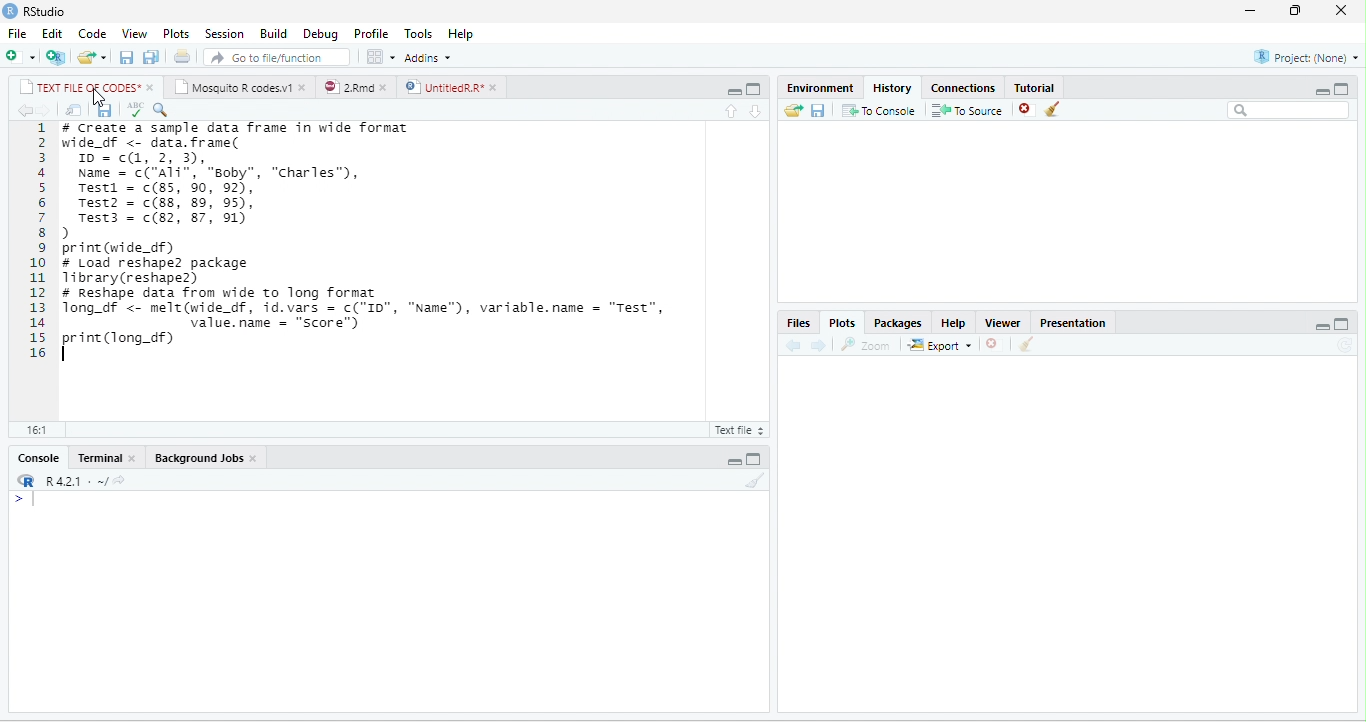 This screenshot has height=722, width=1366. What do you see at coordinates (994, 344) in the screenshot?
I see `close file` at bounding box center [994, 344].